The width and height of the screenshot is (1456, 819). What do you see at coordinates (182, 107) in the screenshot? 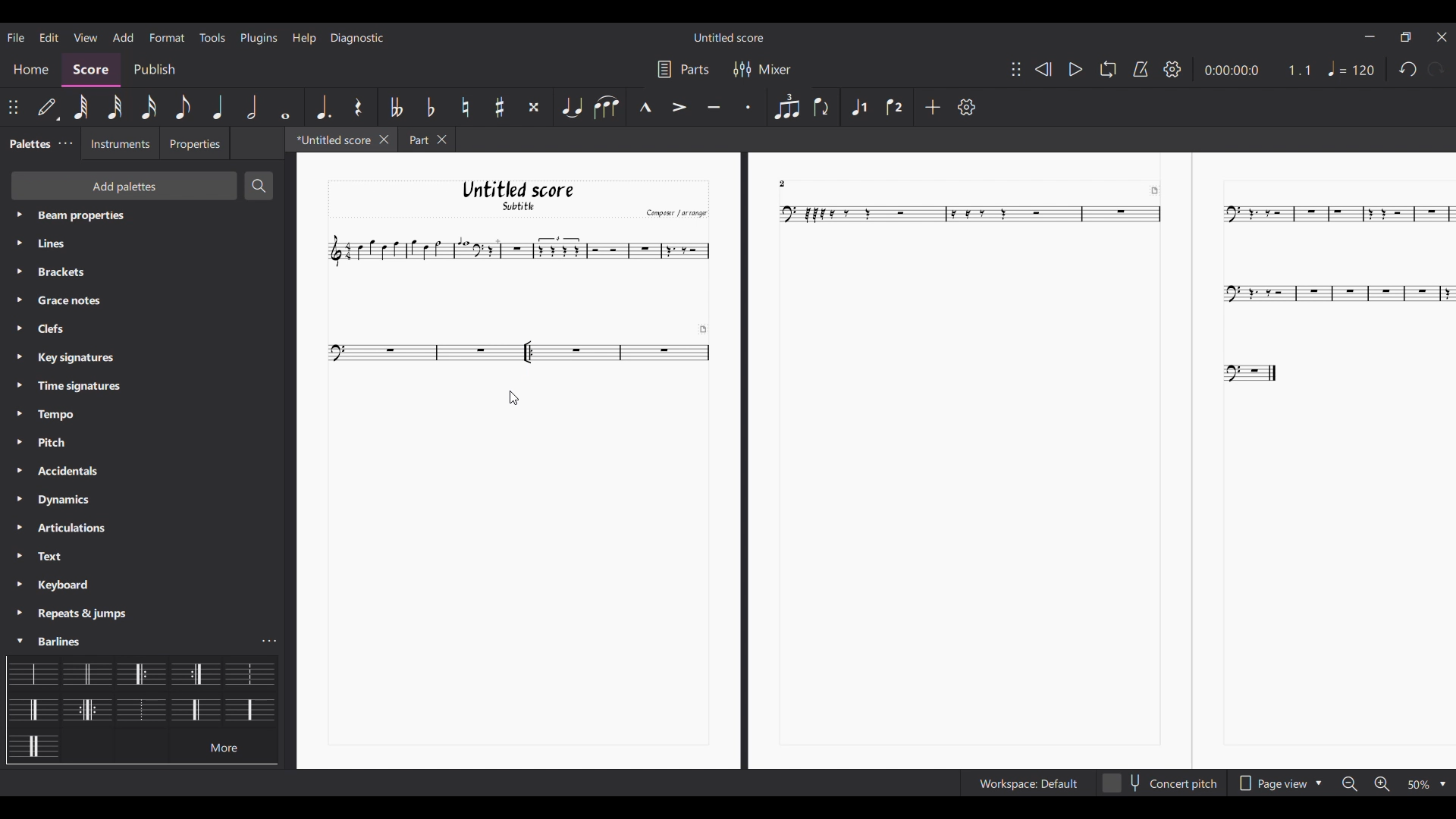
I see `8th note` at bounding box center [182, 107].